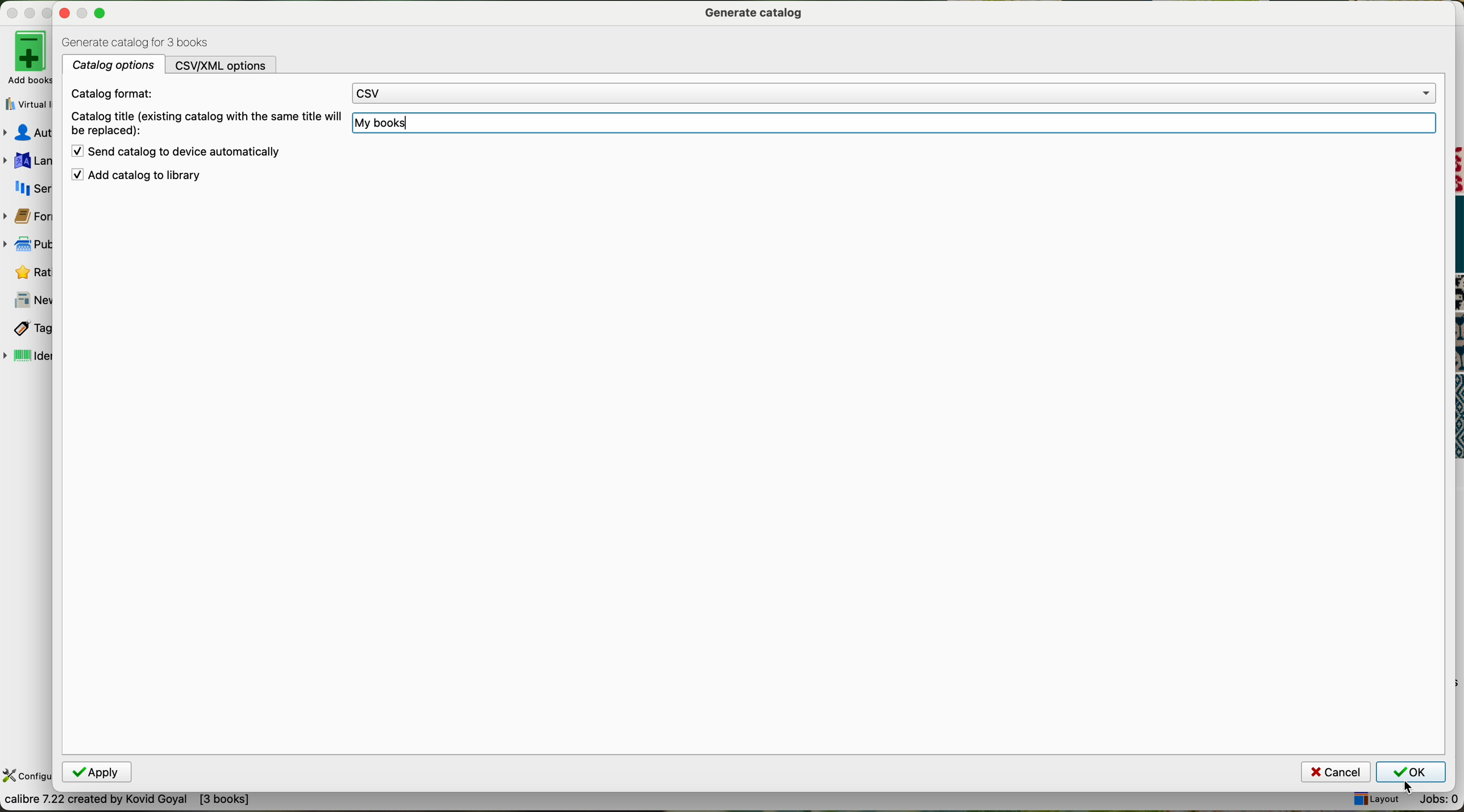  Describe the element at coordinates (892, 122) in the screenshot. I see `My book` at that location.